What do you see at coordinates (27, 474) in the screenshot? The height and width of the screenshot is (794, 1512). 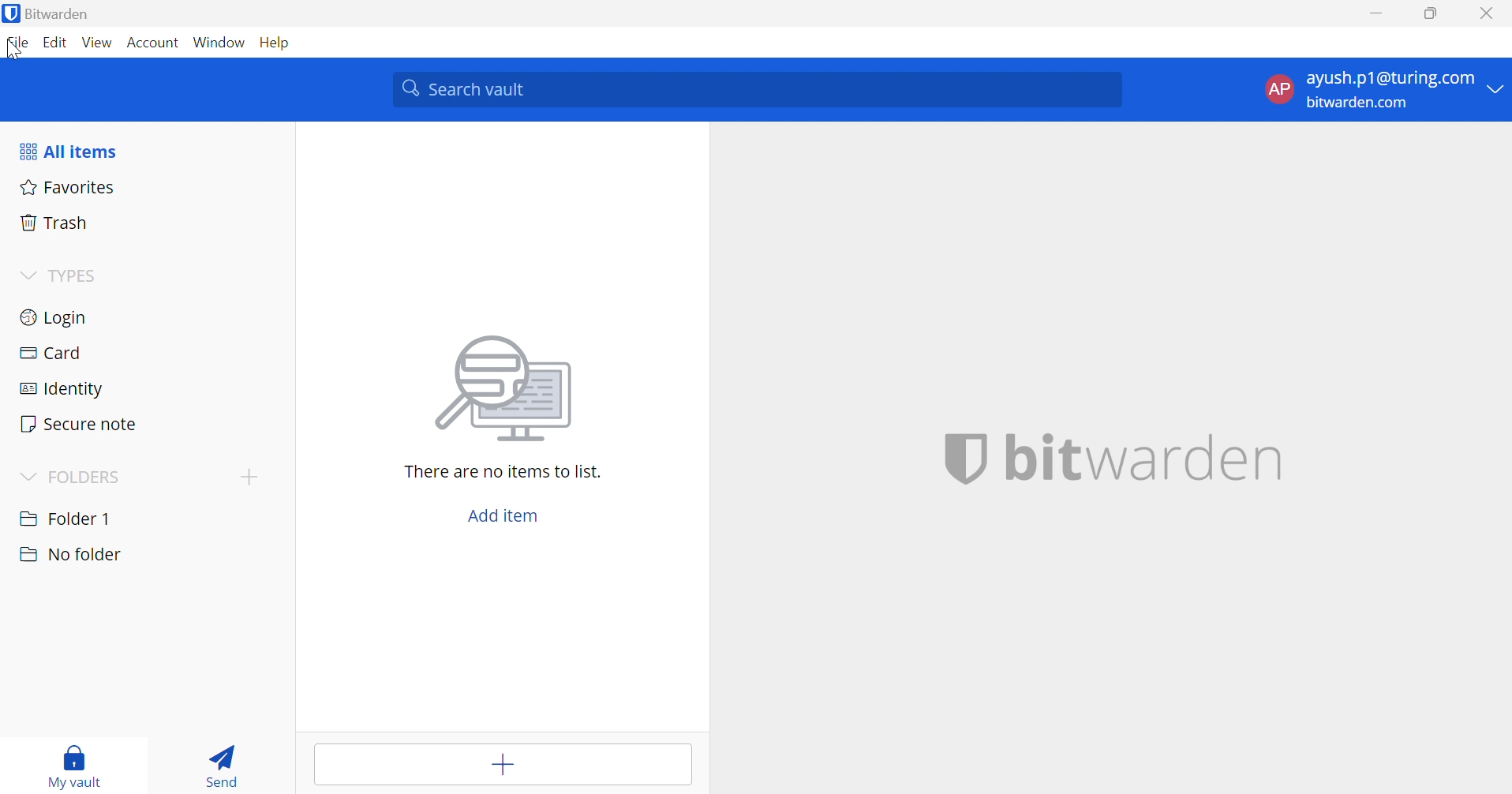 I see `Drop Down` at bounding box center [27, 474].